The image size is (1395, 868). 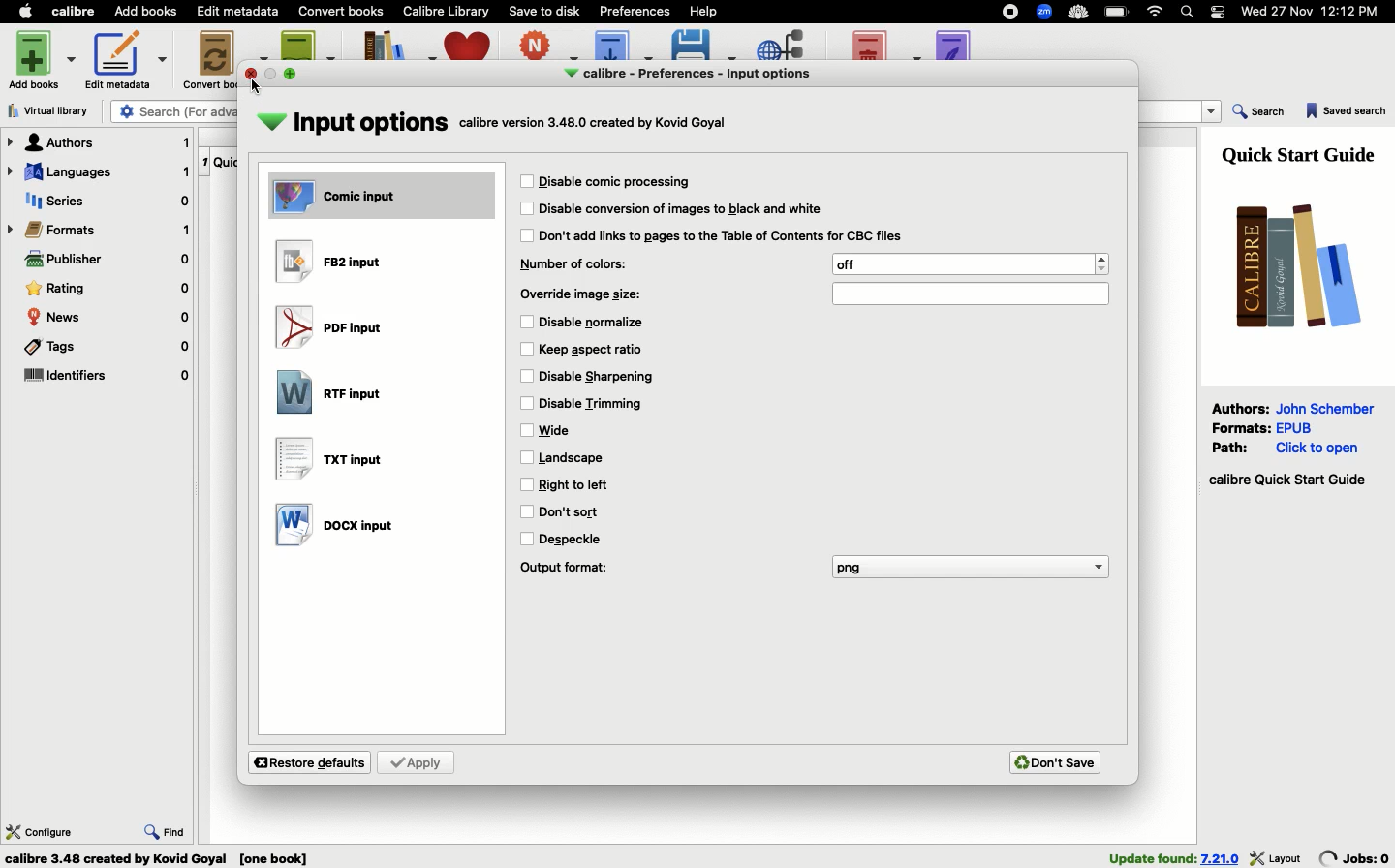 What do you see at coordinates (40, 830) in the screenshot?
I see `Configure` at bounding box center [40, 830].